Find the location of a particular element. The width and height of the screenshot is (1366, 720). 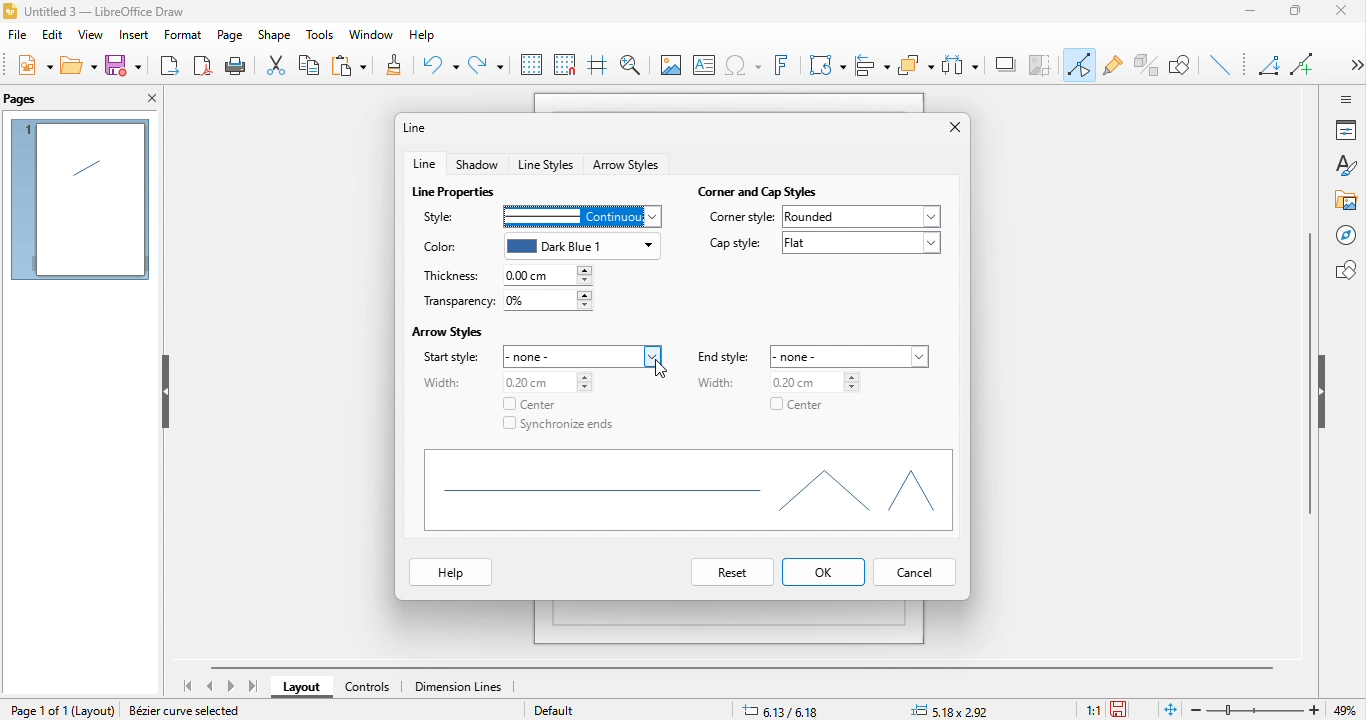

default is located at coordinates (578, 711).